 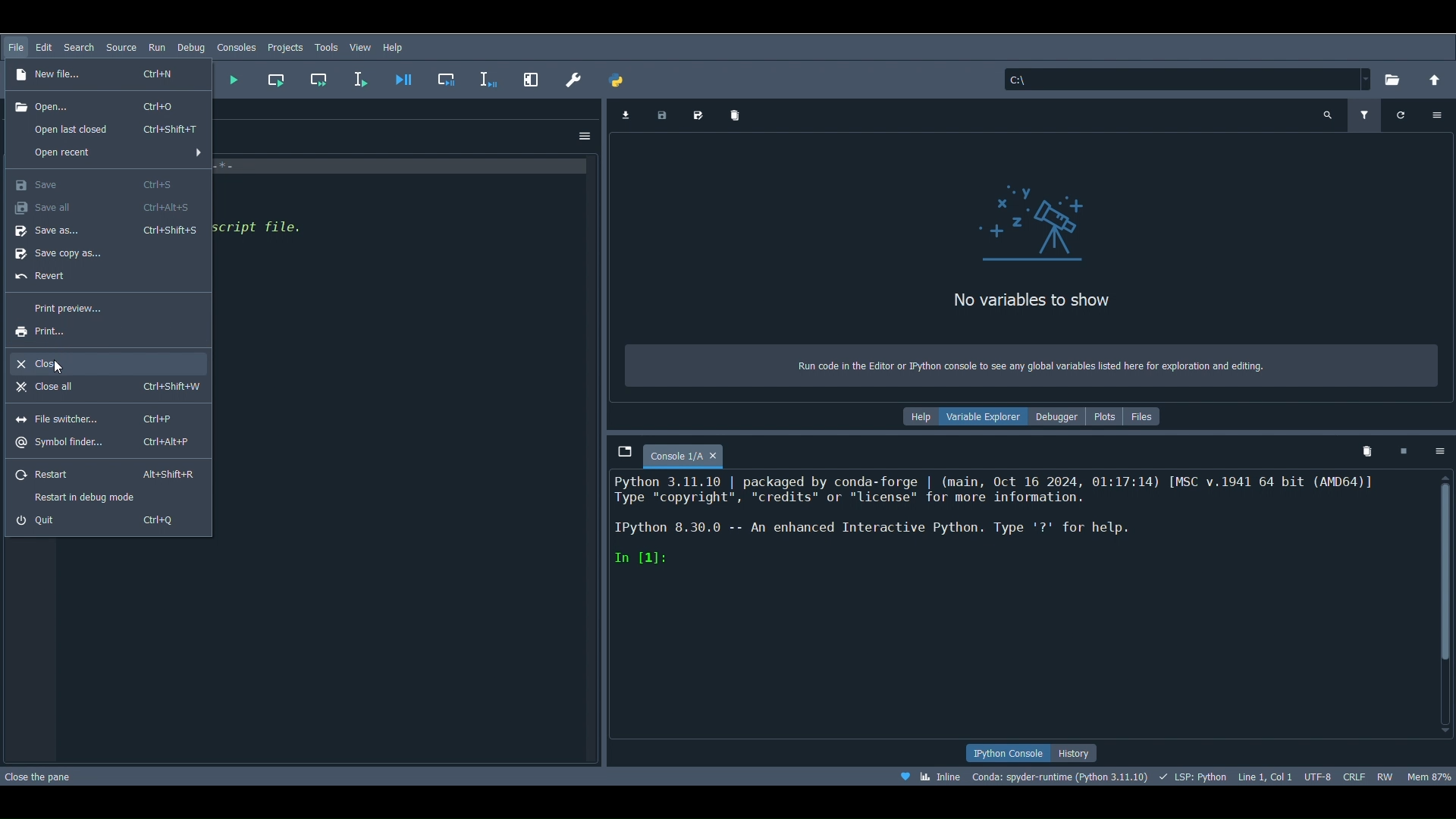 What do you see at coordinates (449, 76) in the screenshot?
I see `Debug cell` at bounding box center [449, 76].